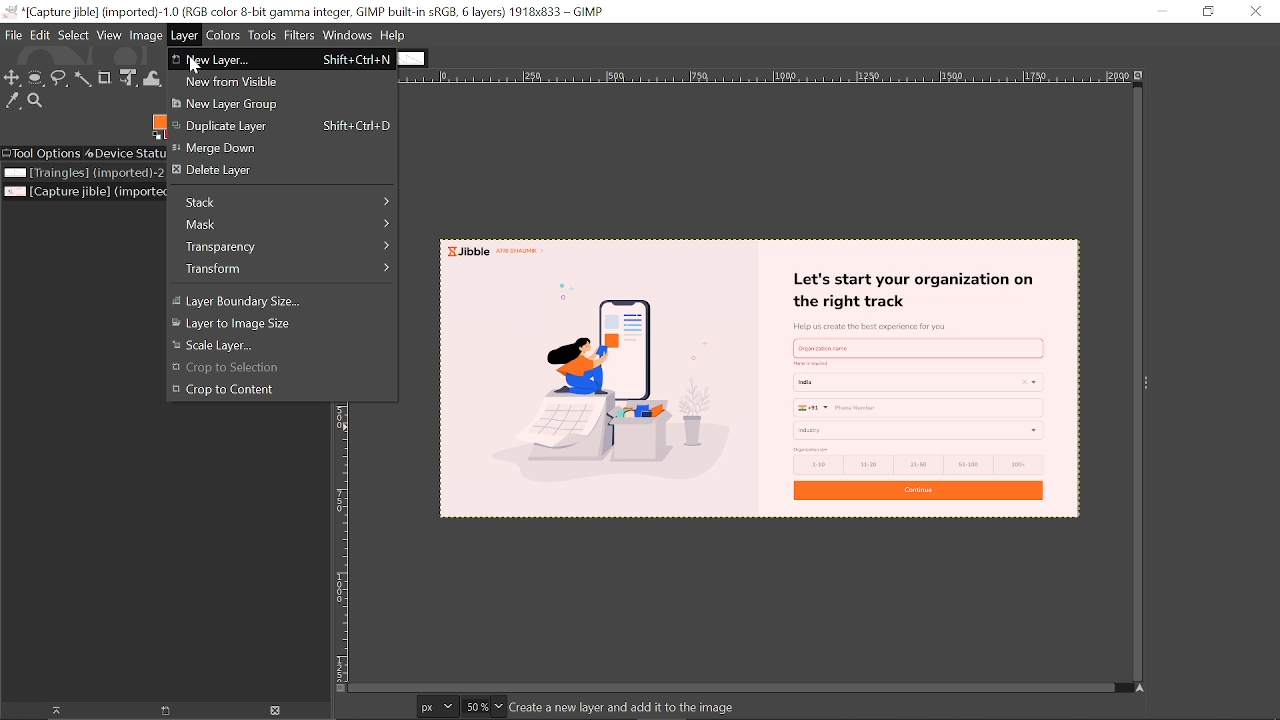  What do you see at coordinates (410, 58) in the screenshot?
I see `other tab` at bounding box center [410, 58].